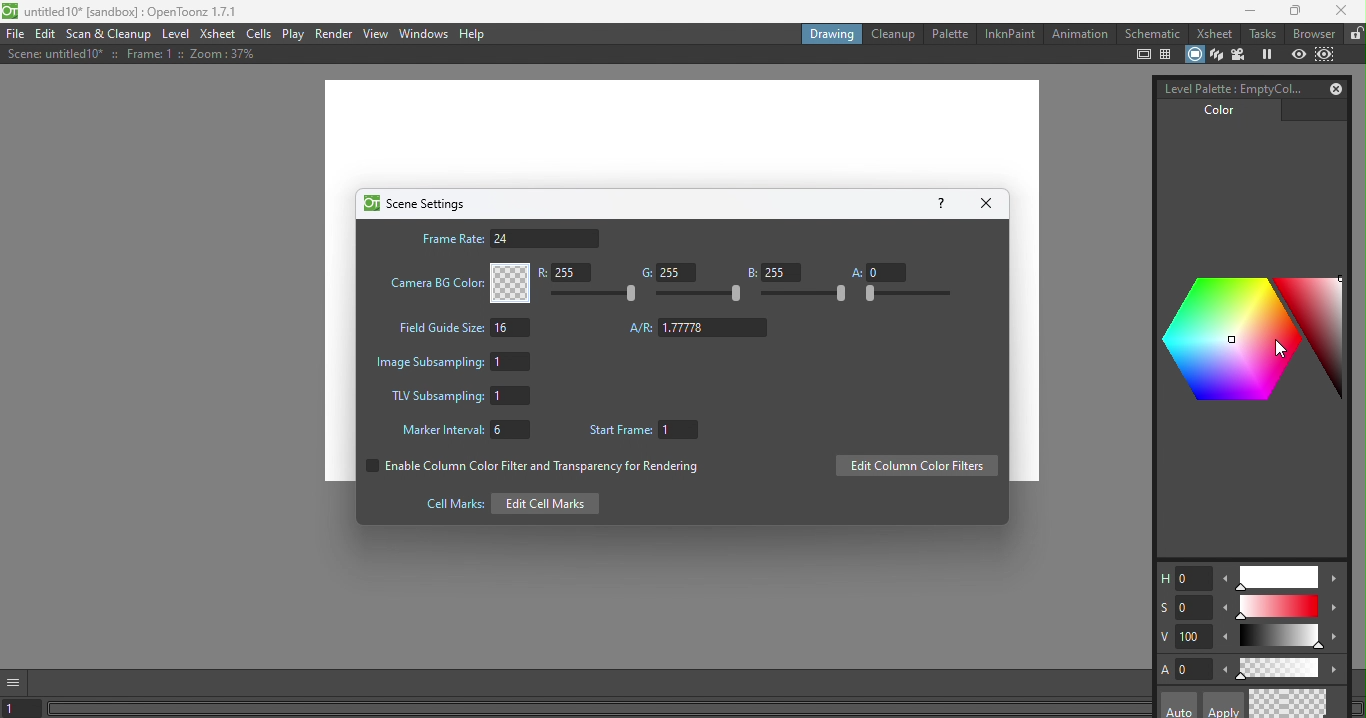 The height and width of the screenshot is (718, 1366). I want to click on Edit column color filters, so click(916, 467).